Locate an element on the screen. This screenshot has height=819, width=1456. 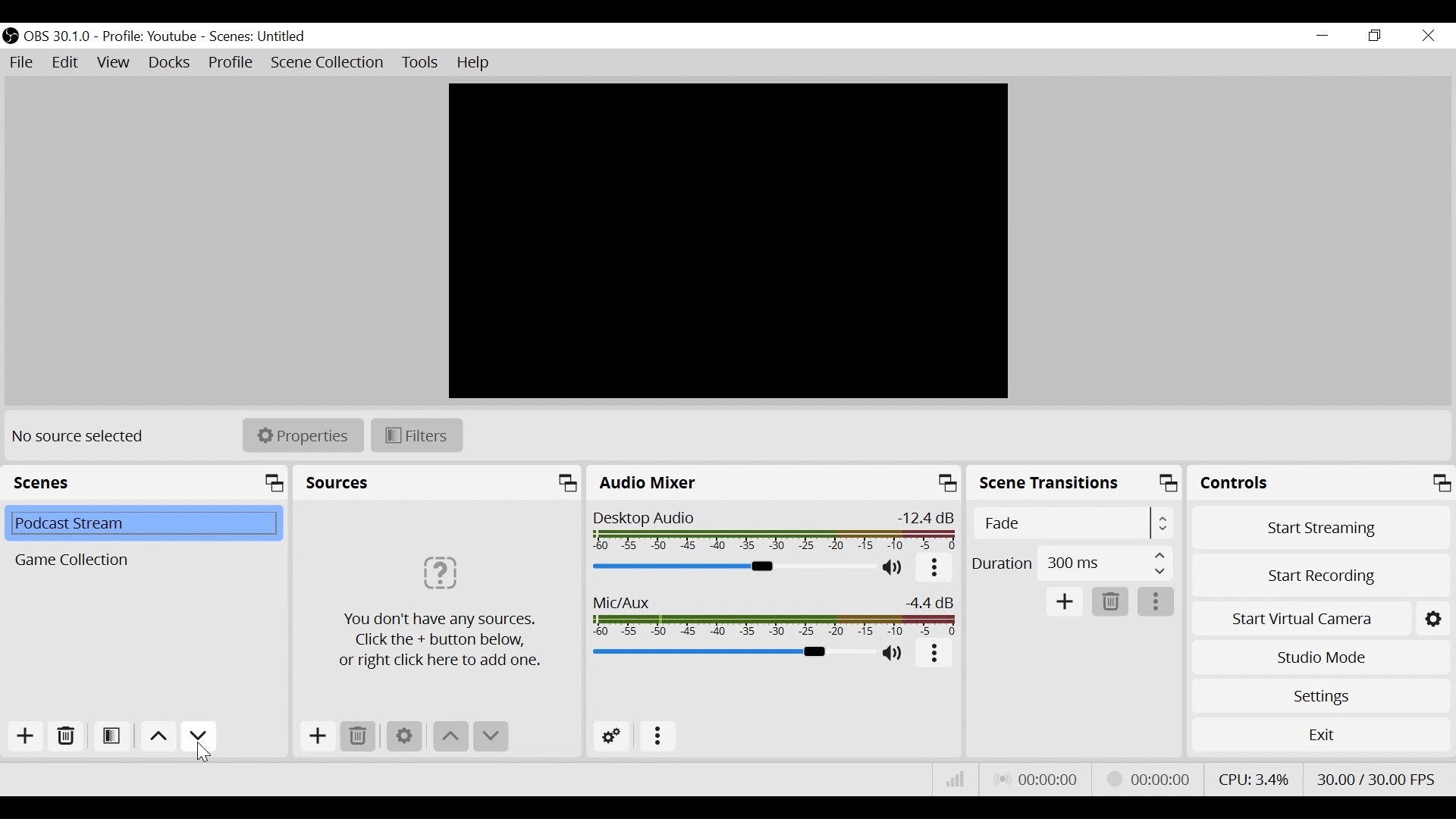
Docks is located at coordinates (169, 64).